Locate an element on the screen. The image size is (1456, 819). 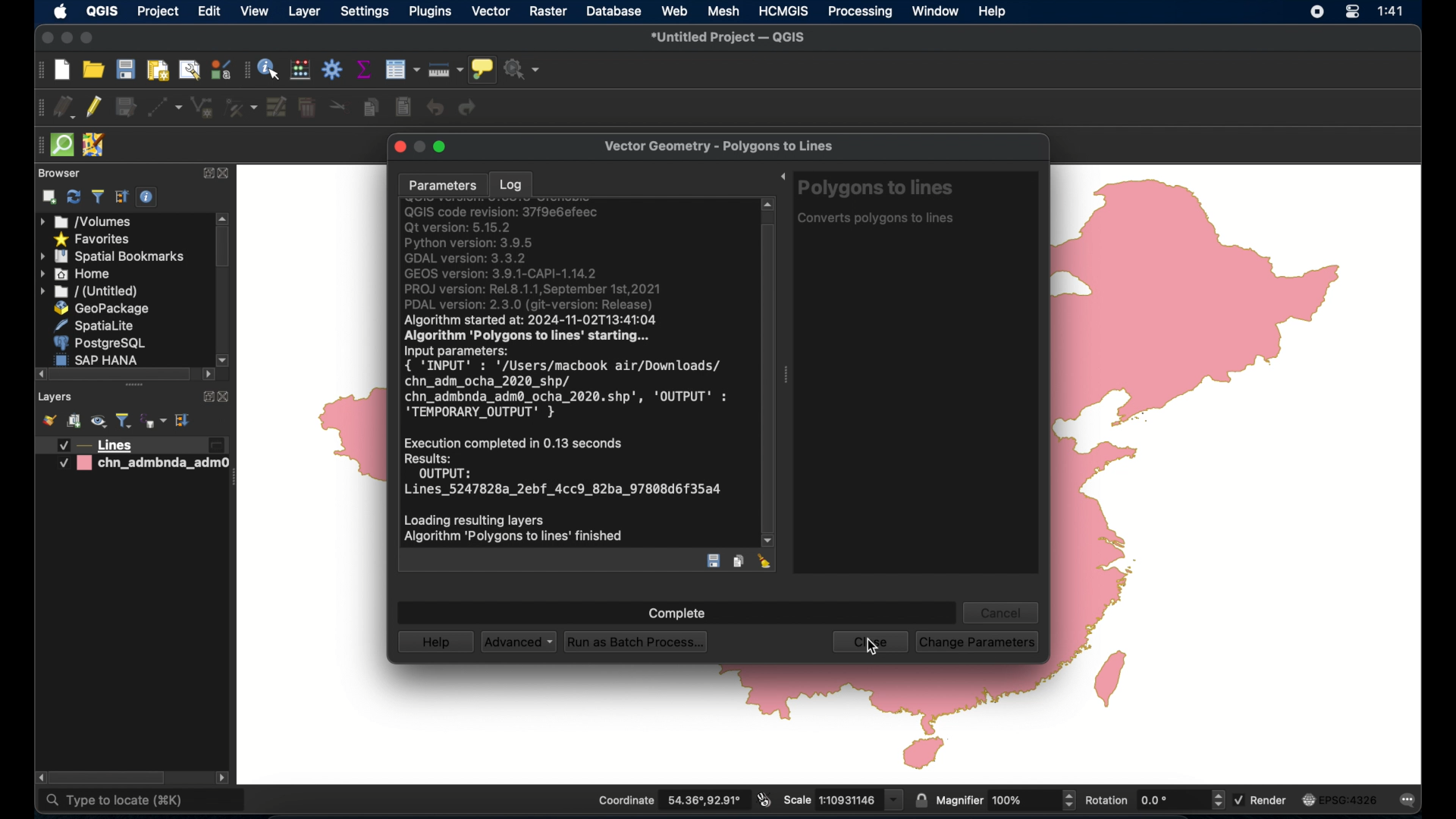
manage map theme is located at coordinates (99, 421).